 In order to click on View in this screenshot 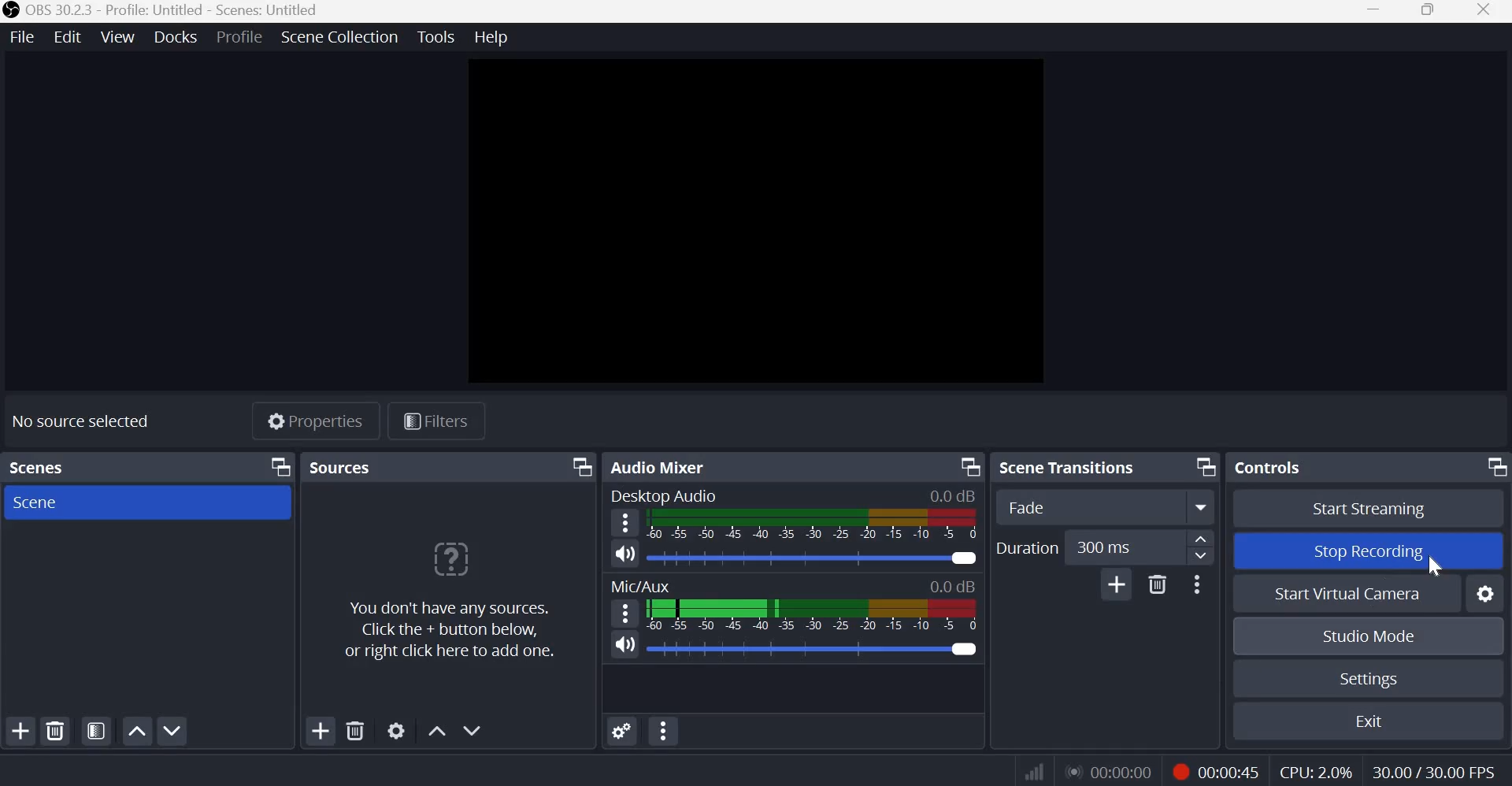, I will do `click(119, 36)`.